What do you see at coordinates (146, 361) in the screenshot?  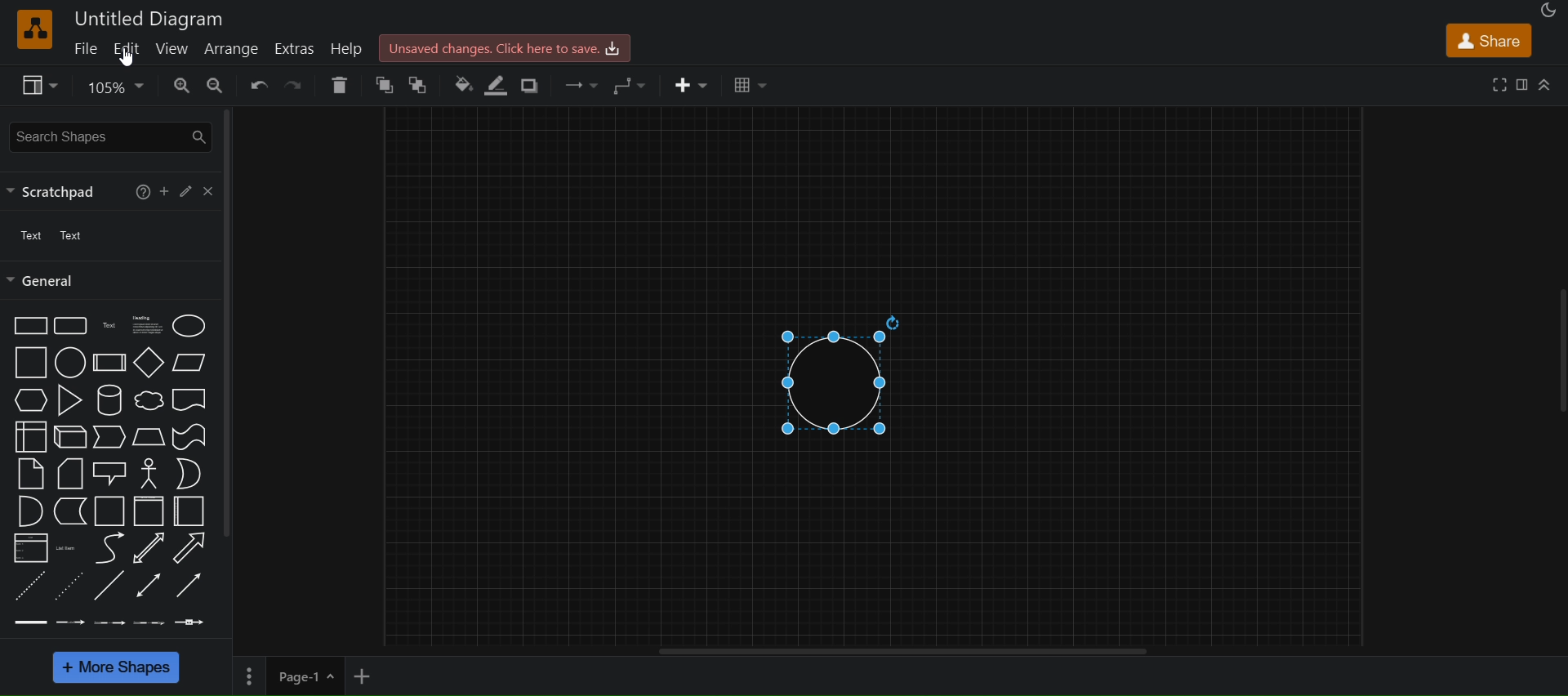 I see `diamond` at bounding box center [146, 361].